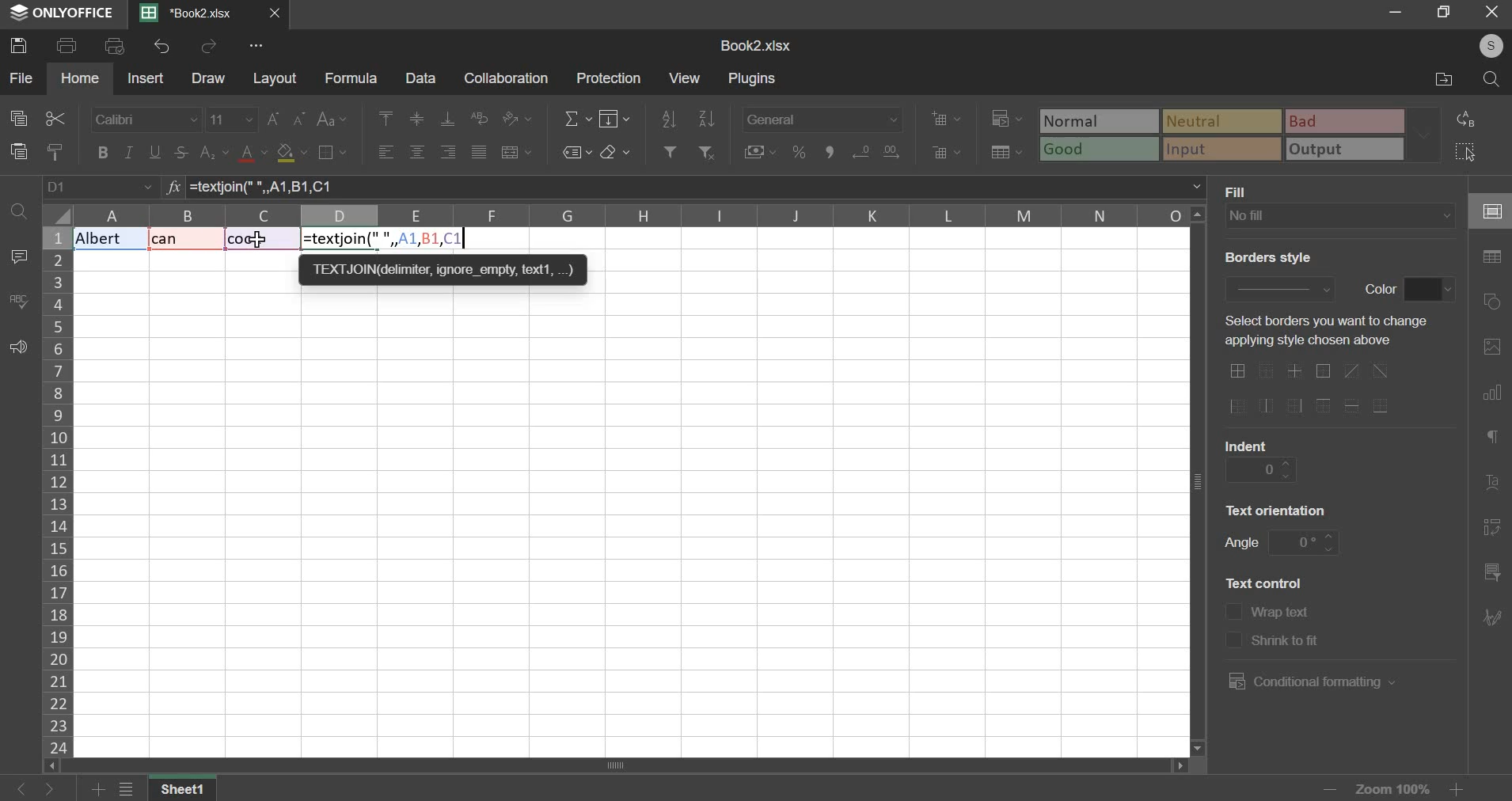 The width and height of the screenshot is (1512, 801). I want to click on remove filter, so click(709, 151).